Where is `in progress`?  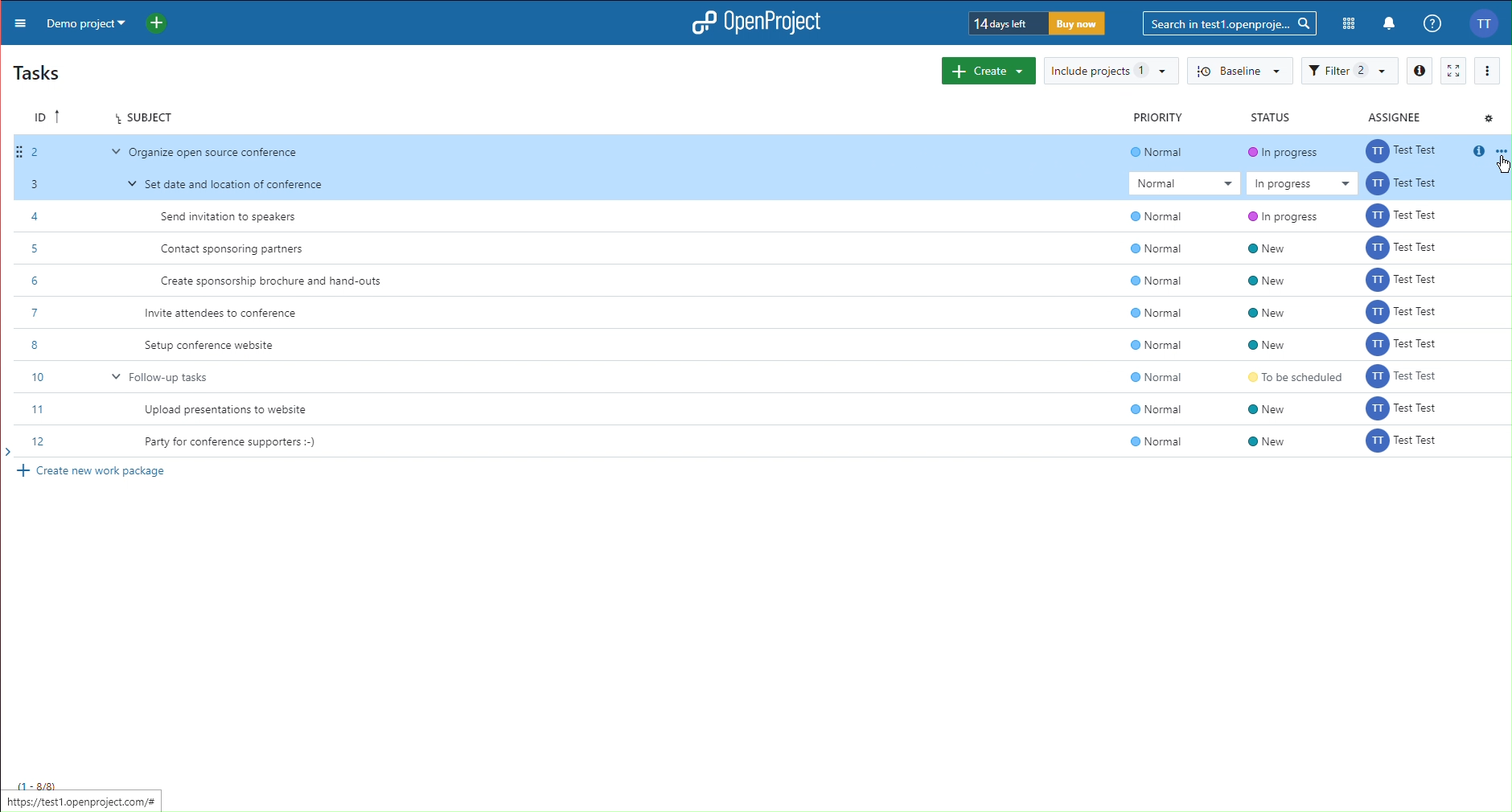
in progress is located at coordinates (1276, 187).